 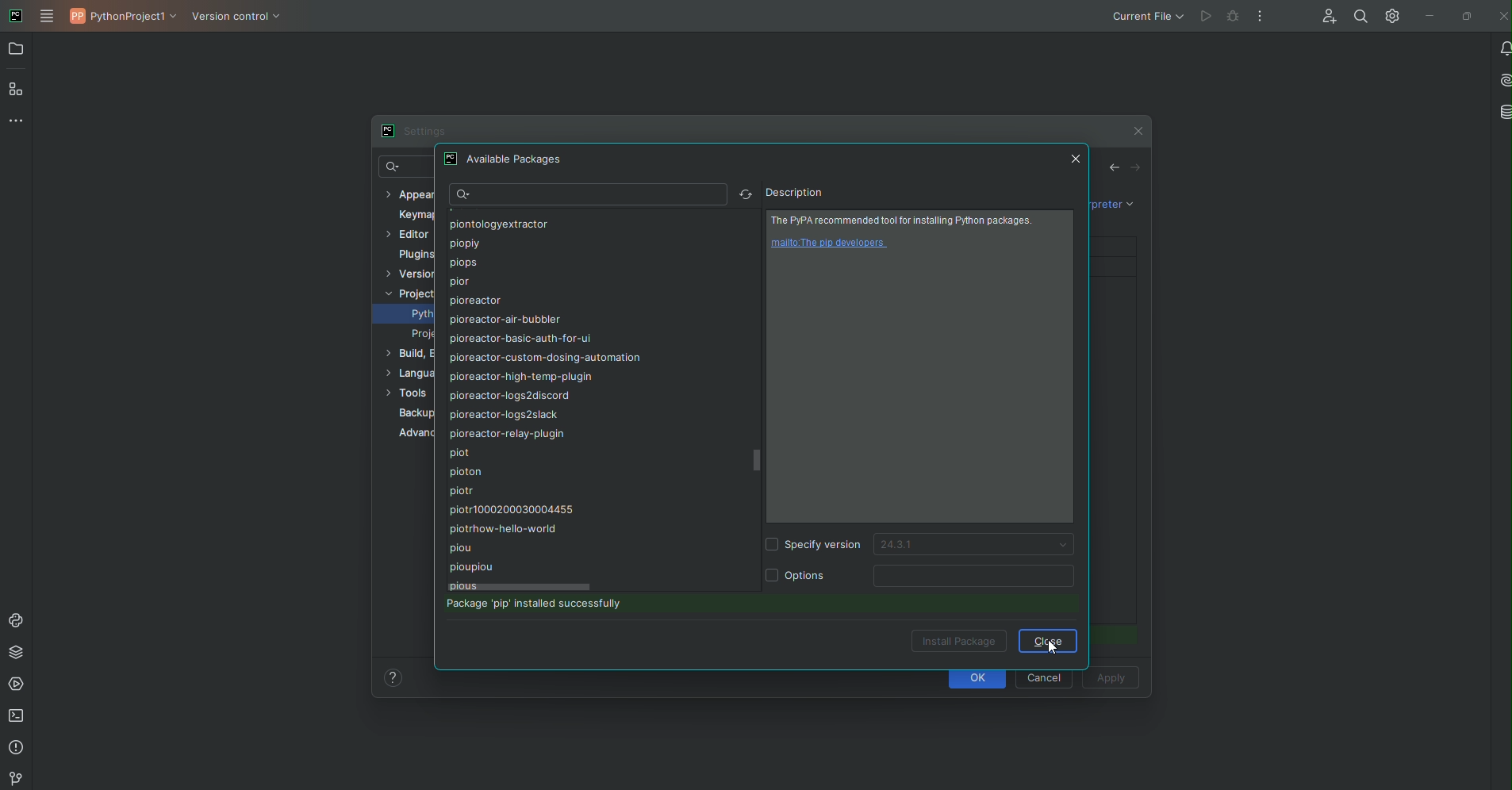 I want to click on Close, so click(x=1077, y=159).